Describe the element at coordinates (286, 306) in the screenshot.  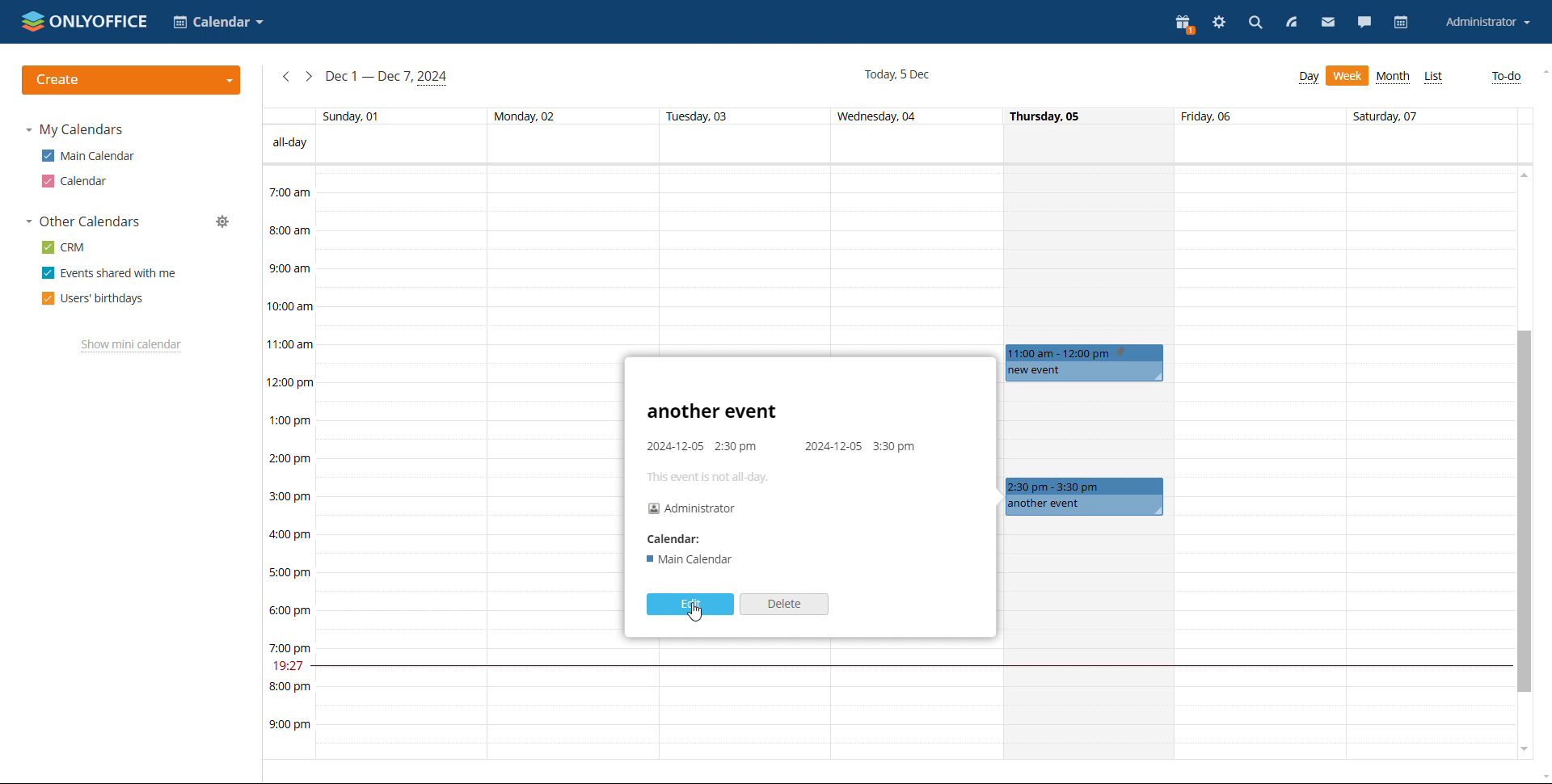
I see `10:00 am` at that location.